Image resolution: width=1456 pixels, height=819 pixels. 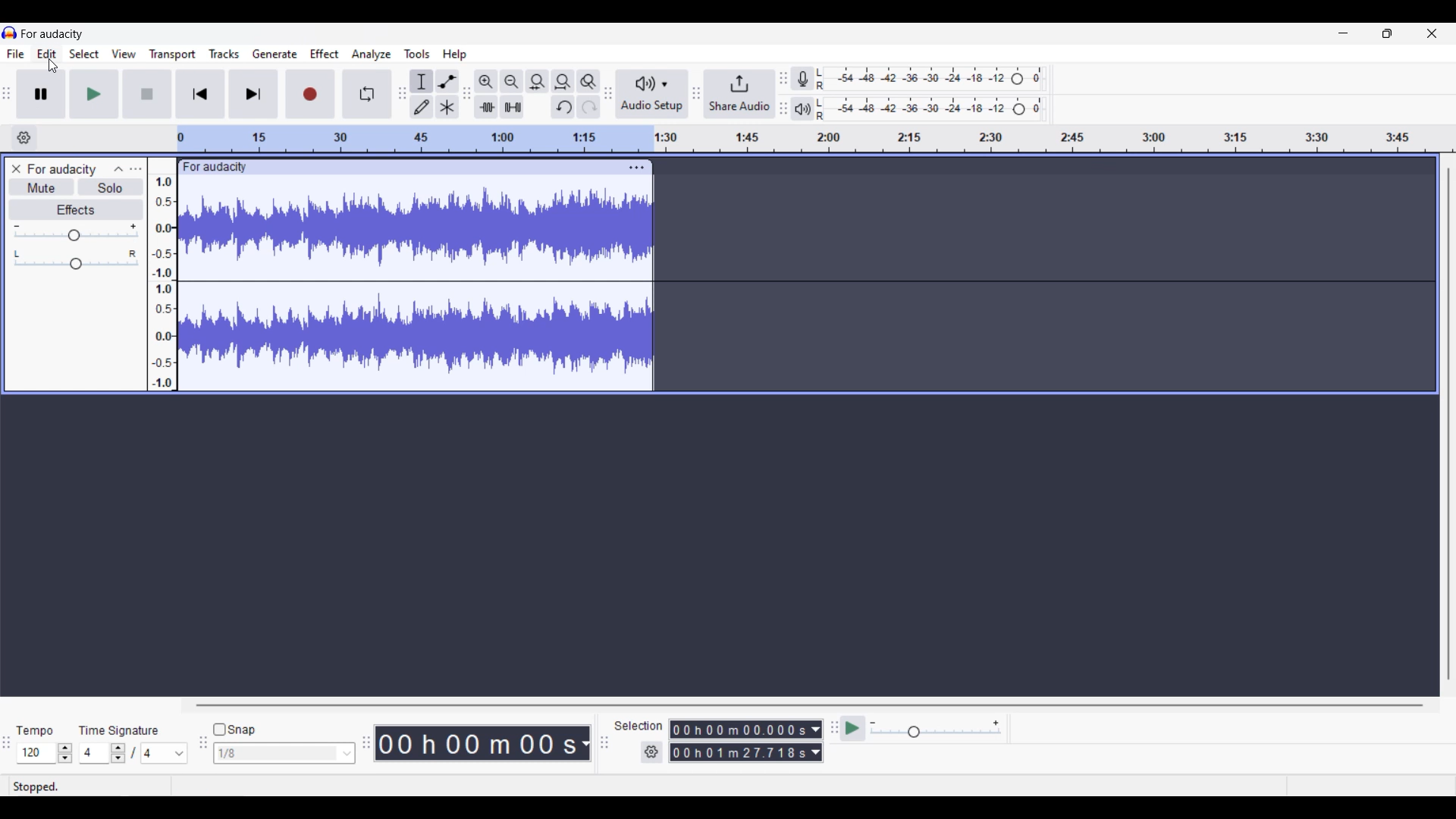 I want to click on Silence audio selection, so click(x=512, y=107).